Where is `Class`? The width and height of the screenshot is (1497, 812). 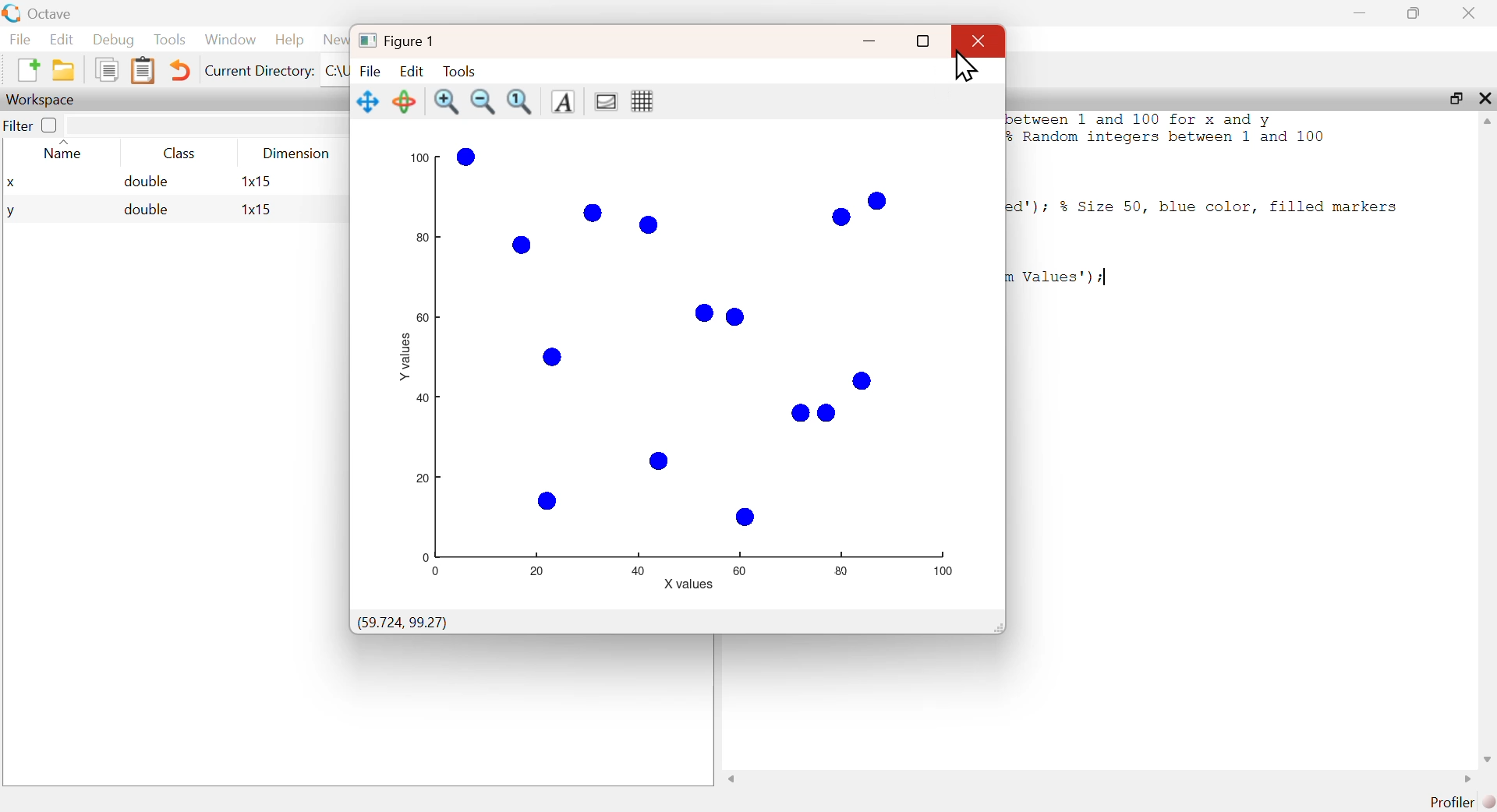 Class is located at coordinates (182, 155).